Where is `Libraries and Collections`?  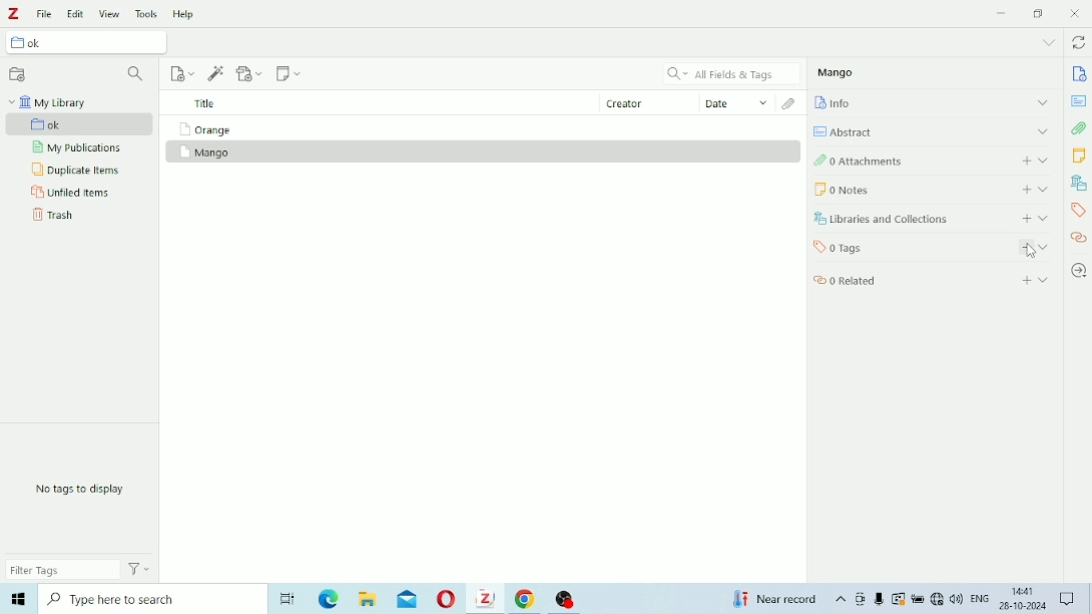
Libraries and Collections is located at coordinates (931, 218).